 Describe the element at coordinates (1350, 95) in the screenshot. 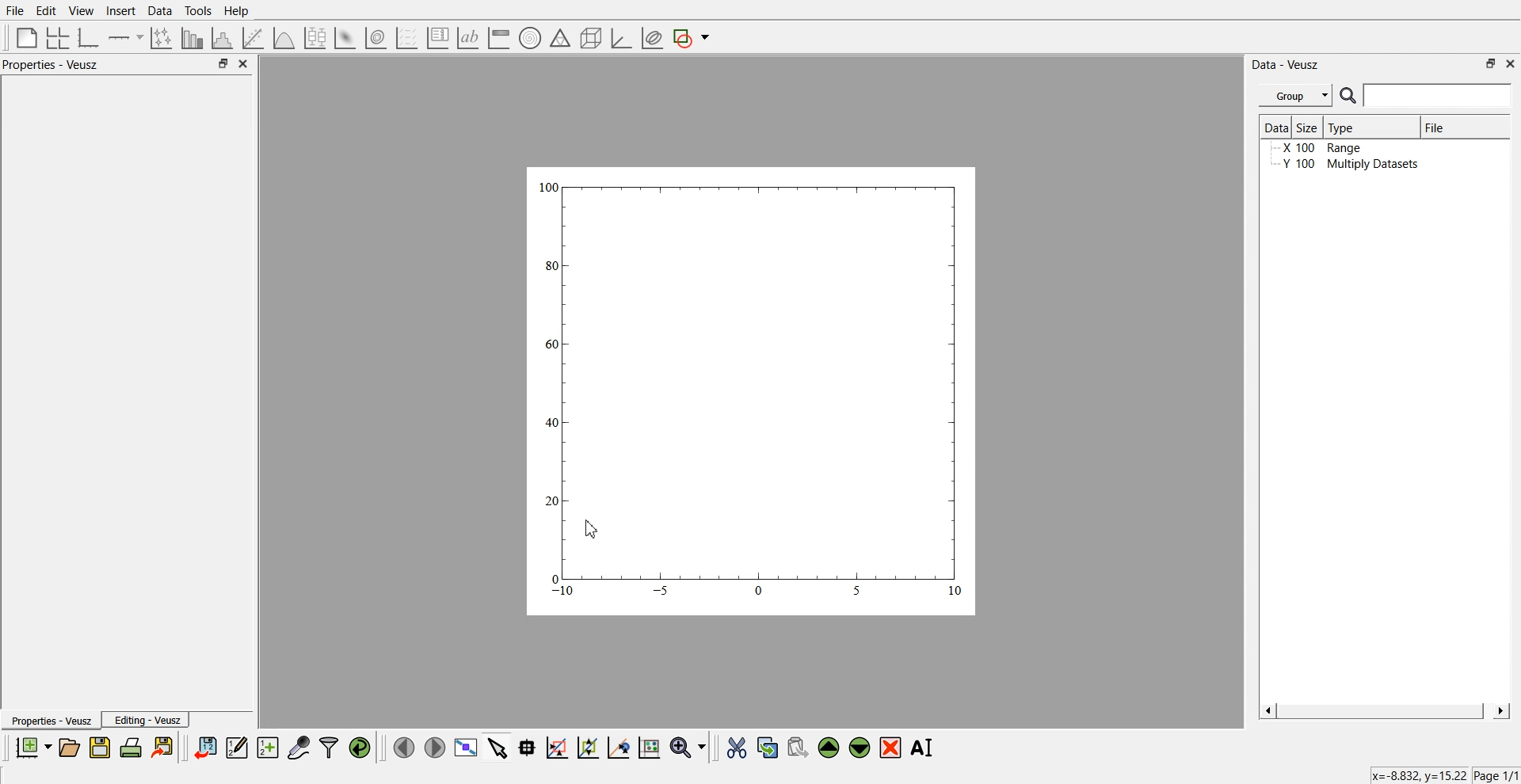

I see `search icon` at that location.